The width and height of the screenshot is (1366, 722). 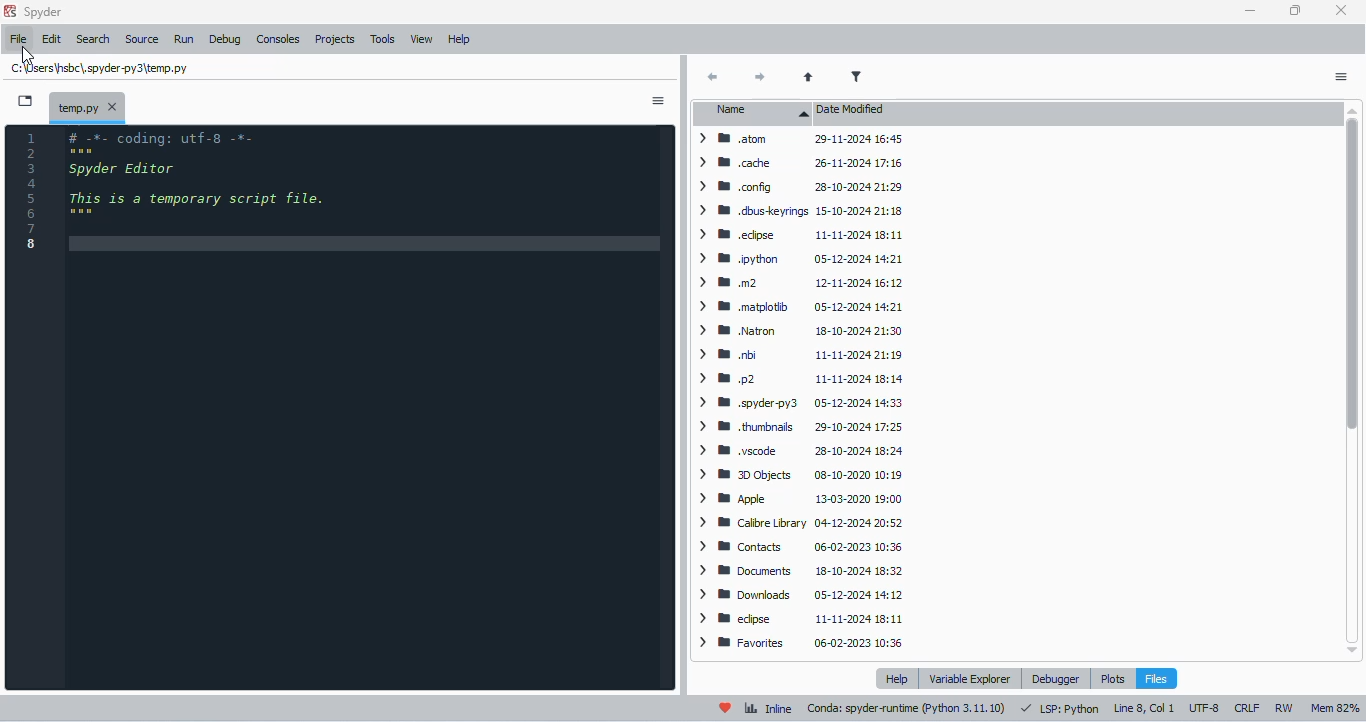 What do you see at coordinates (855, 75) in the screenshot?
I see `filter` at bounding box center [855, 75].